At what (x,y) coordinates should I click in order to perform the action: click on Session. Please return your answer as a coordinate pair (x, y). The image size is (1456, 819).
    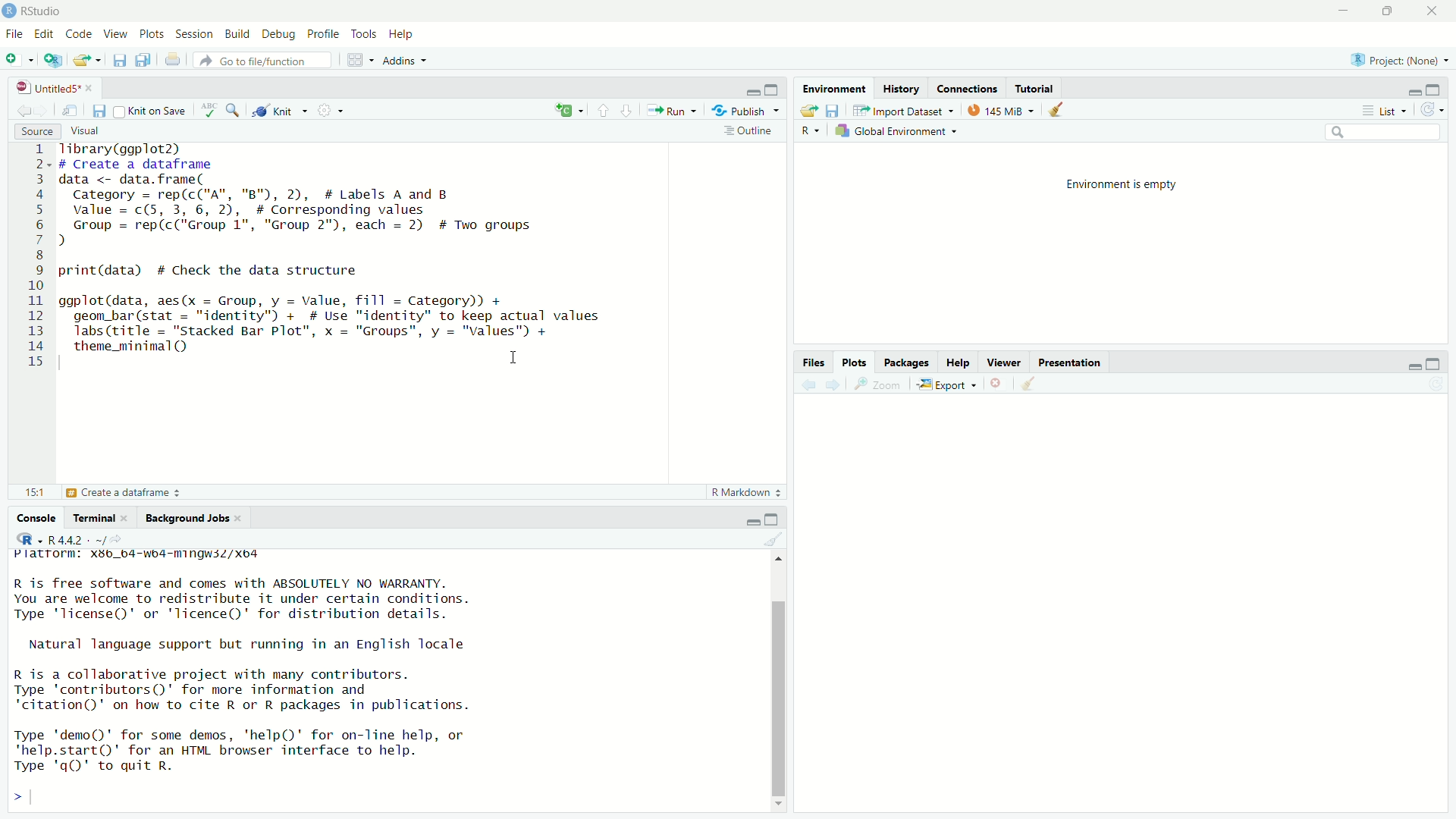
    Looking at the image, I should click on (196, 34).